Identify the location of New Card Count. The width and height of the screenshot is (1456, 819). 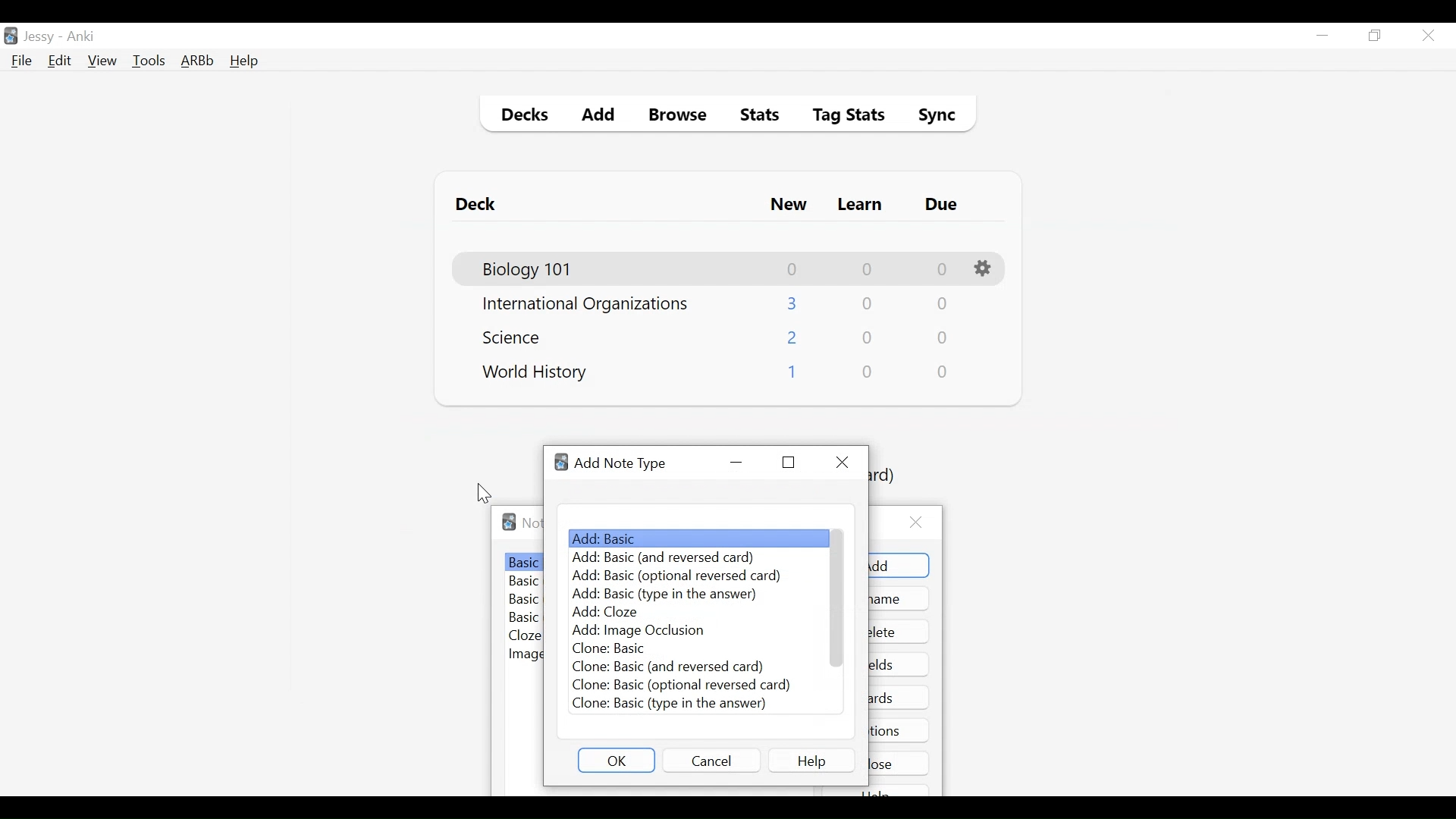
(793, 339).